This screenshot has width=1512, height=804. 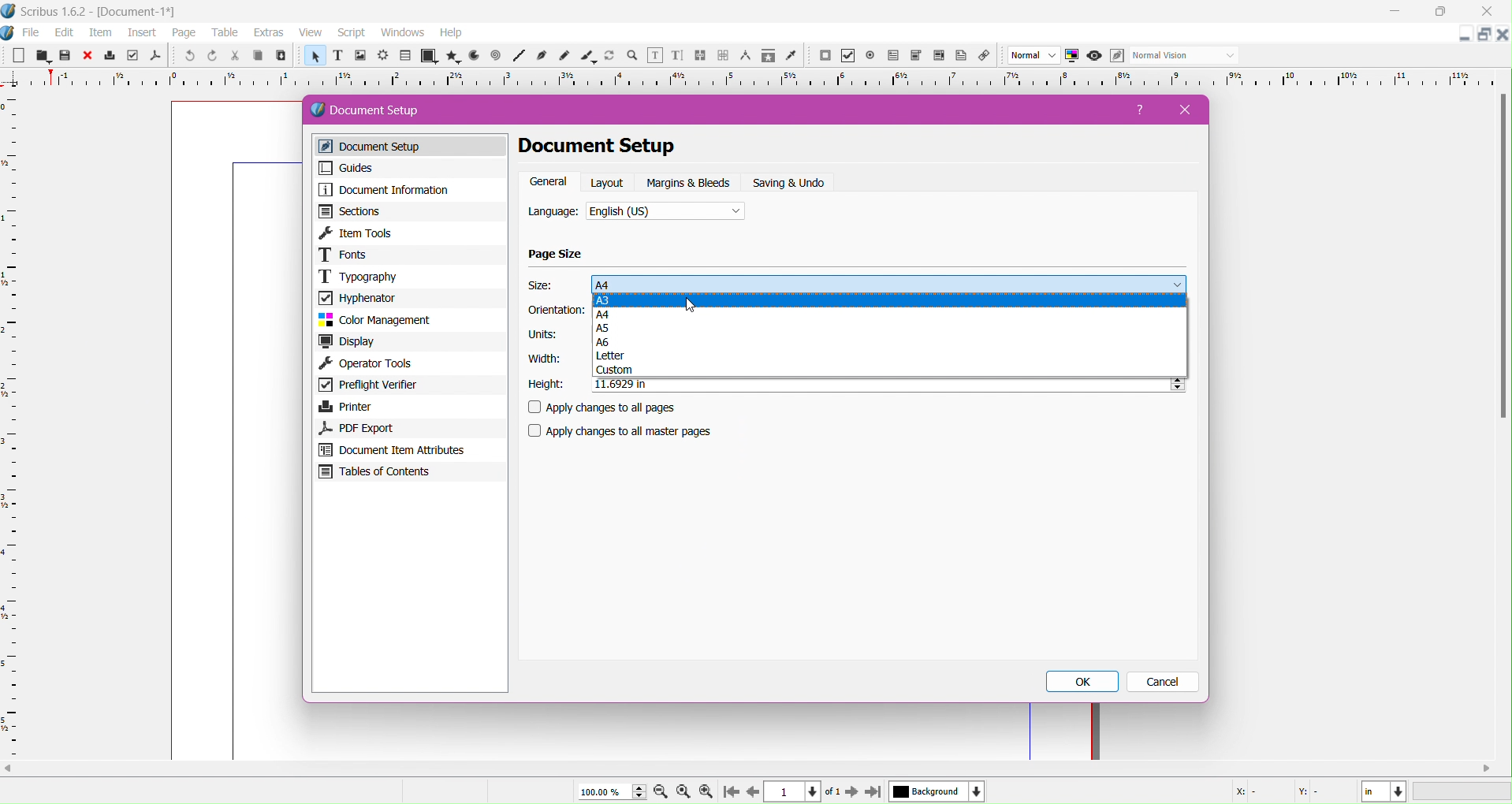 What do you see at coordinates (233, 57) in the screenshot?
I see `cut` at bounding box center [233, 57].